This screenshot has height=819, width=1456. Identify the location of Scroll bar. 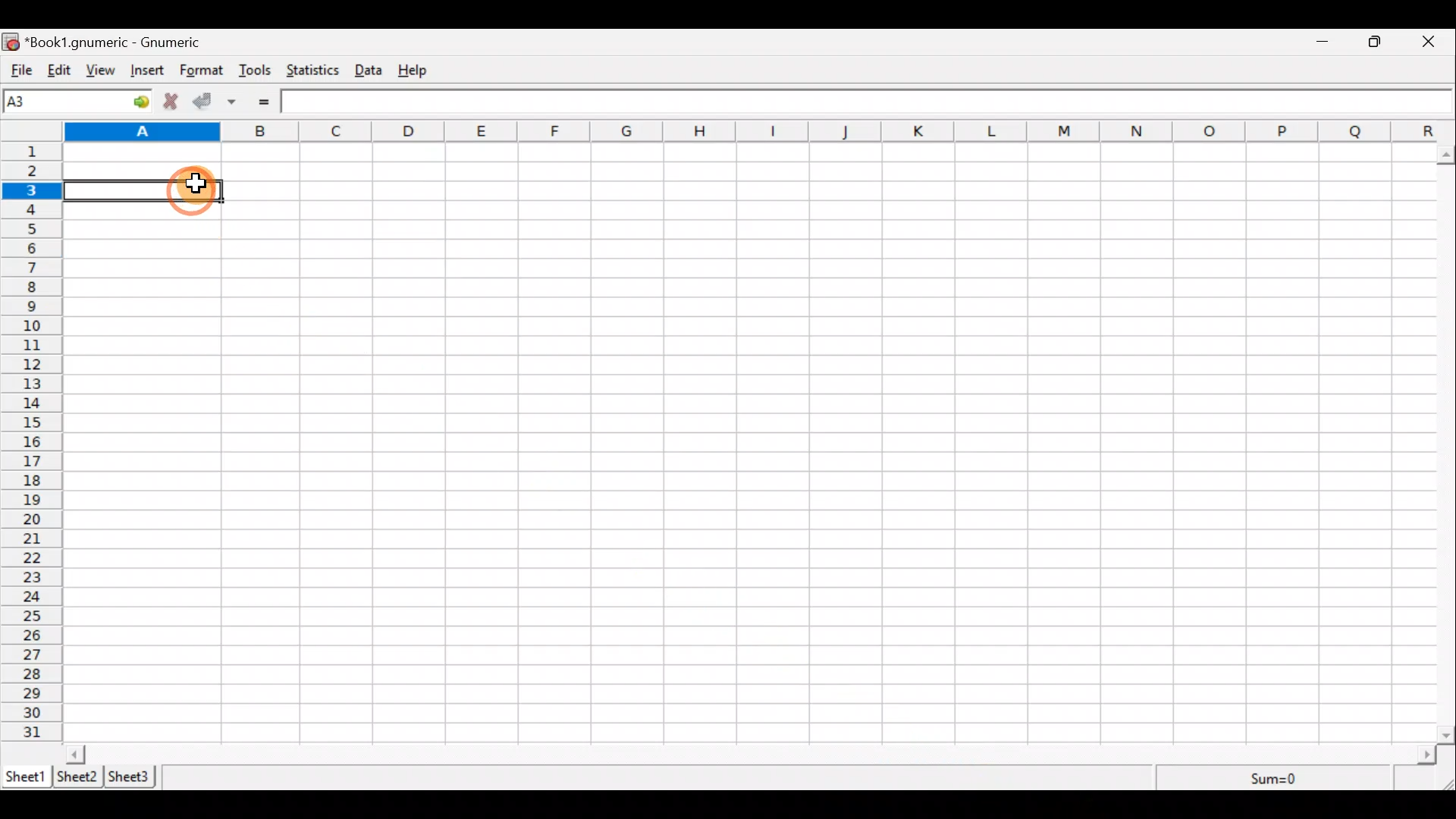
(1447, 441).